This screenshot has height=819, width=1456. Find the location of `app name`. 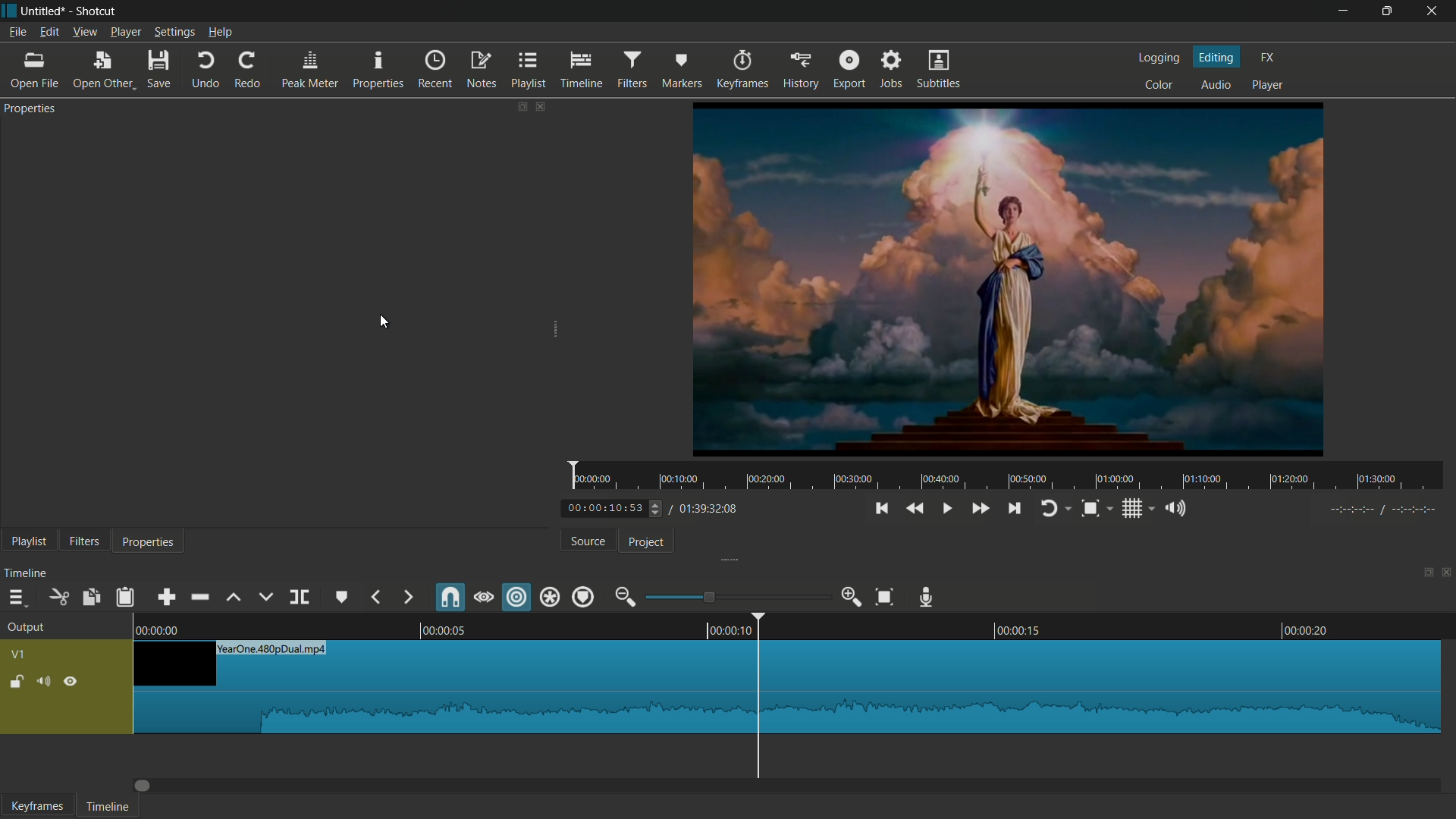

app name is located at coordinates (95, 12).